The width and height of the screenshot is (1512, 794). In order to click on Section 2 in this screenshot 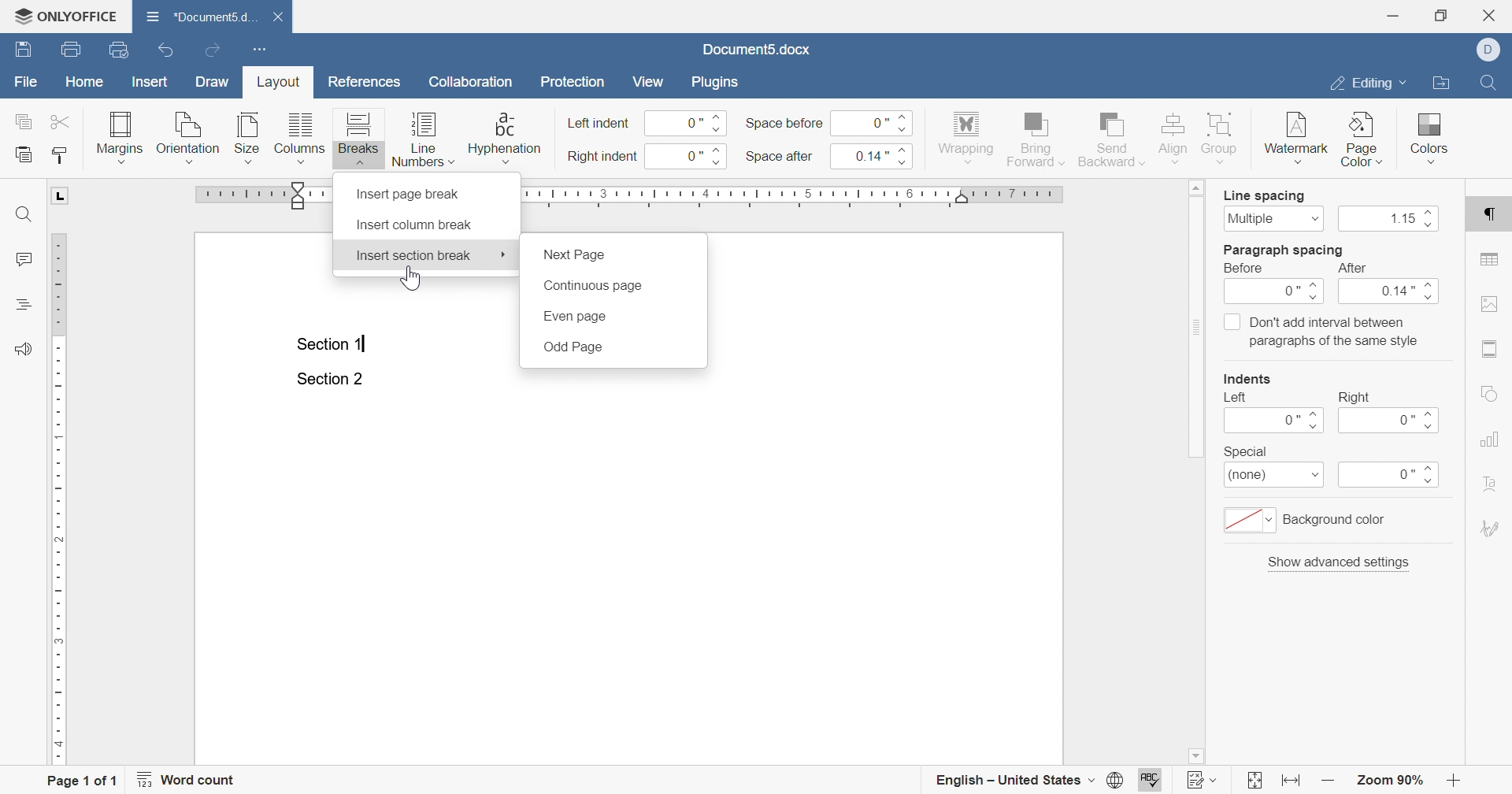, I will do `click(329, 380)`.